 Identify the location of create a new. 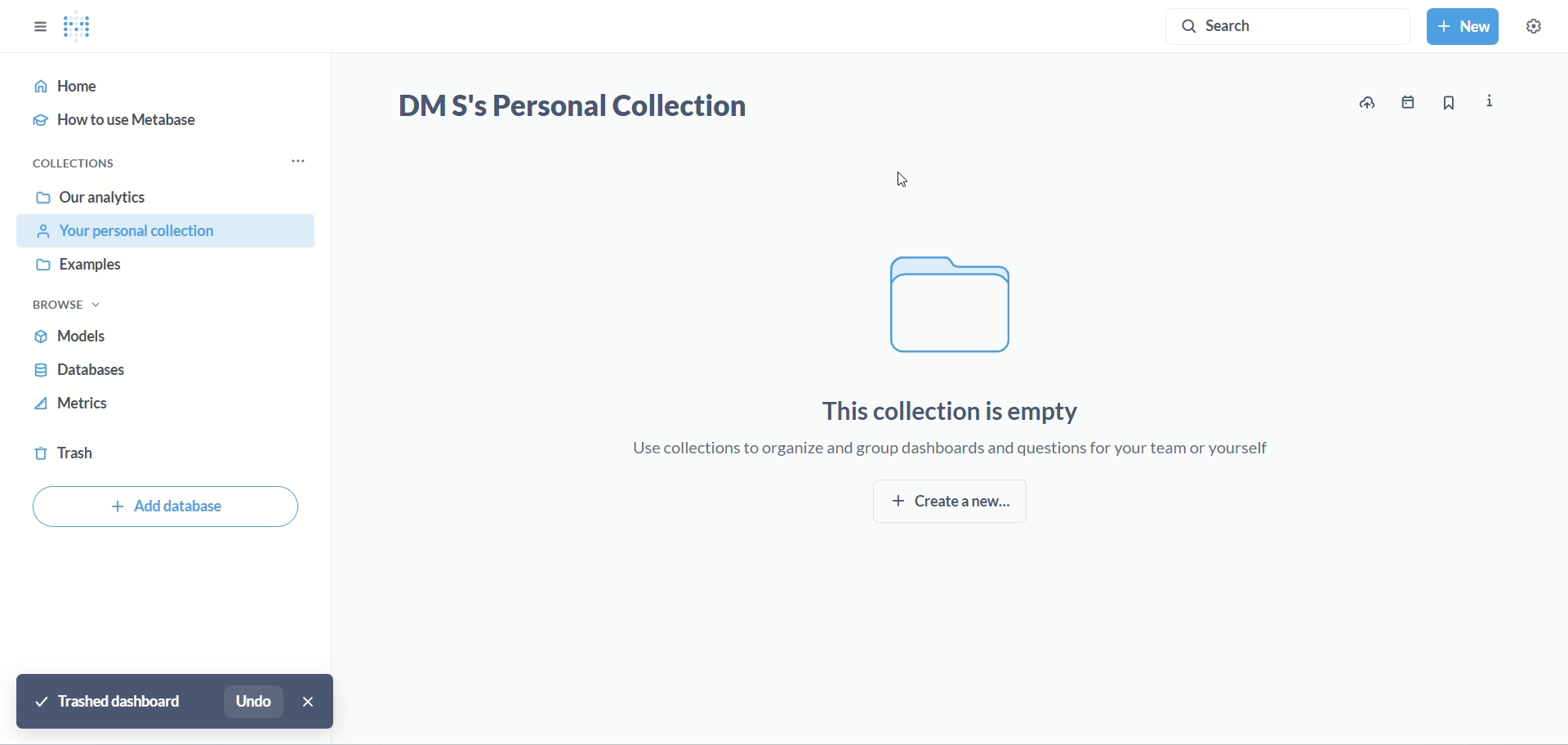
(955, 503).